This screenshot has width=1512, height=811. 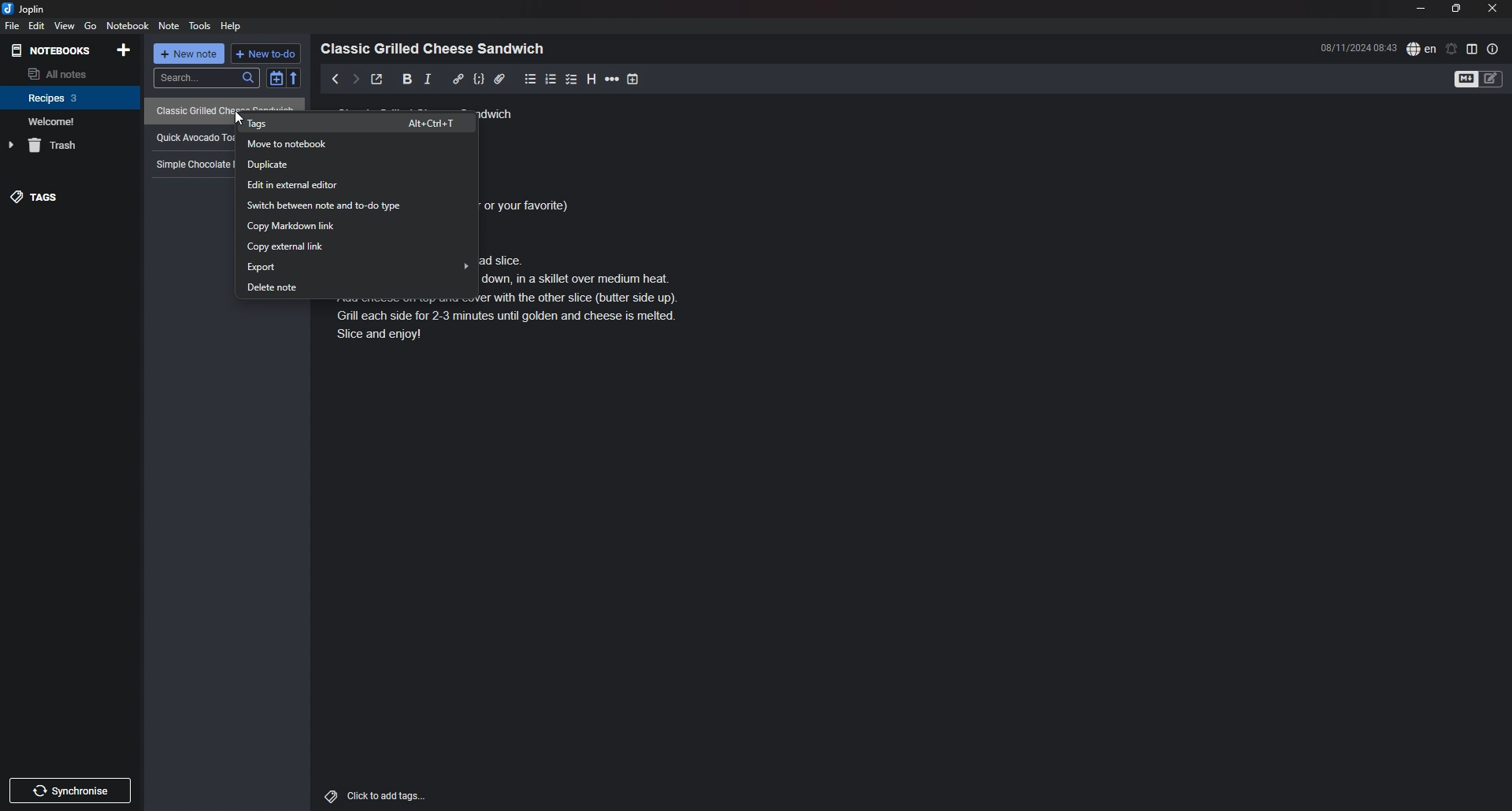 What do you see at coordinates (378, 79) in the screenshot?
I see `toggle external editor` at bounding box center [378, 79].